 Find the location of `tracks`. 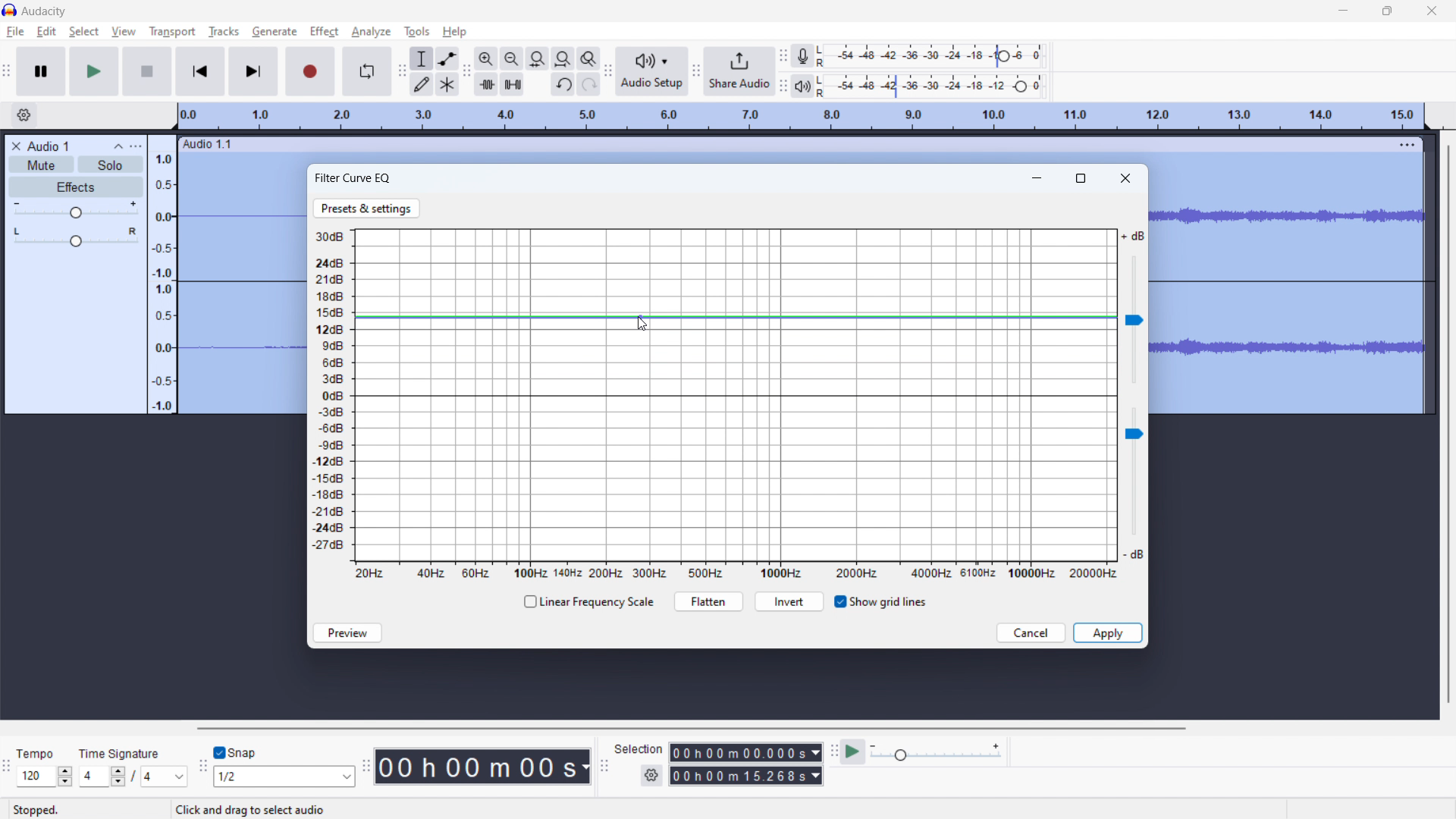

tracks is located at coordinates (224, 32).